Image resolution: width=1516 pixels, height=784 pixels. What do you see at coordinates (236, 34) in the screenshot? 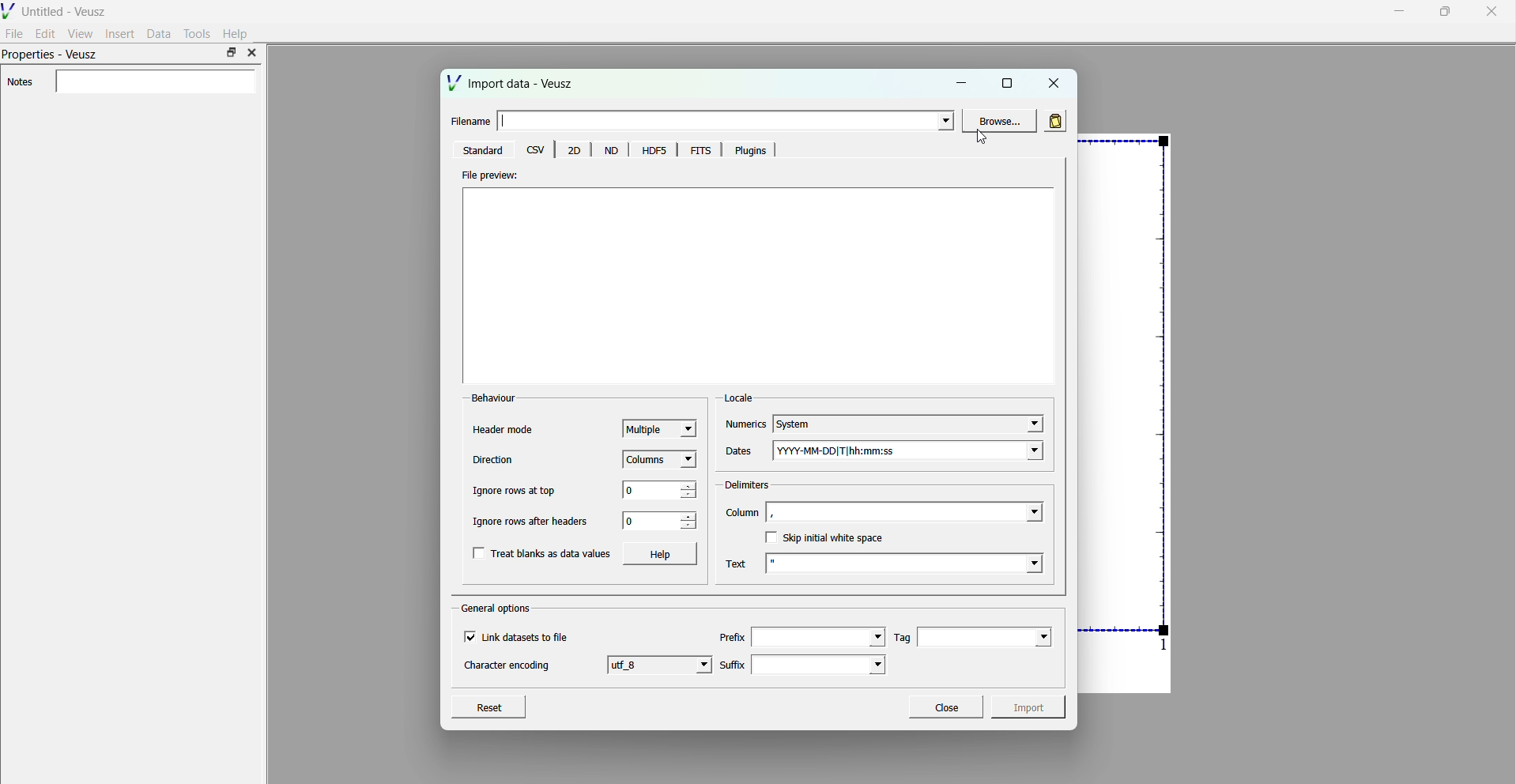
I see `Help` at bounding box center [236, 34].